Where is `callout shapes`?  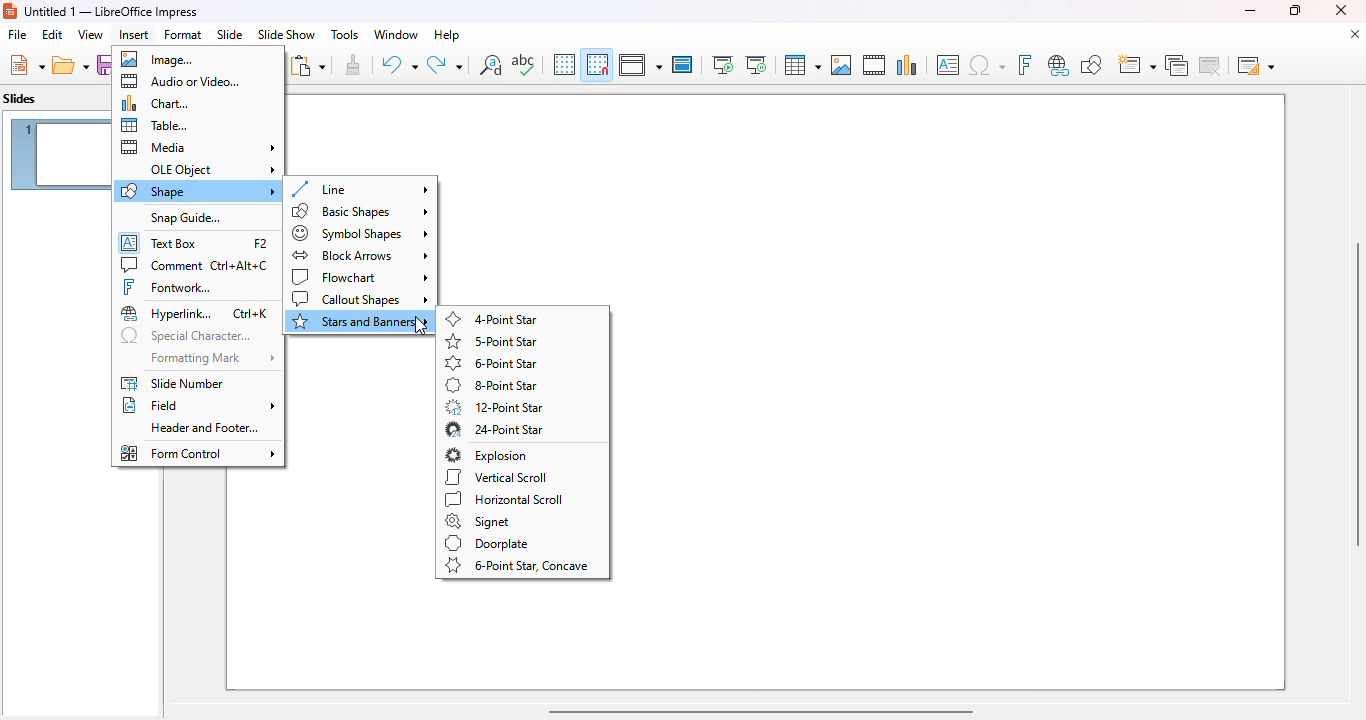 callout shapes is located at coordinates (361, 300).